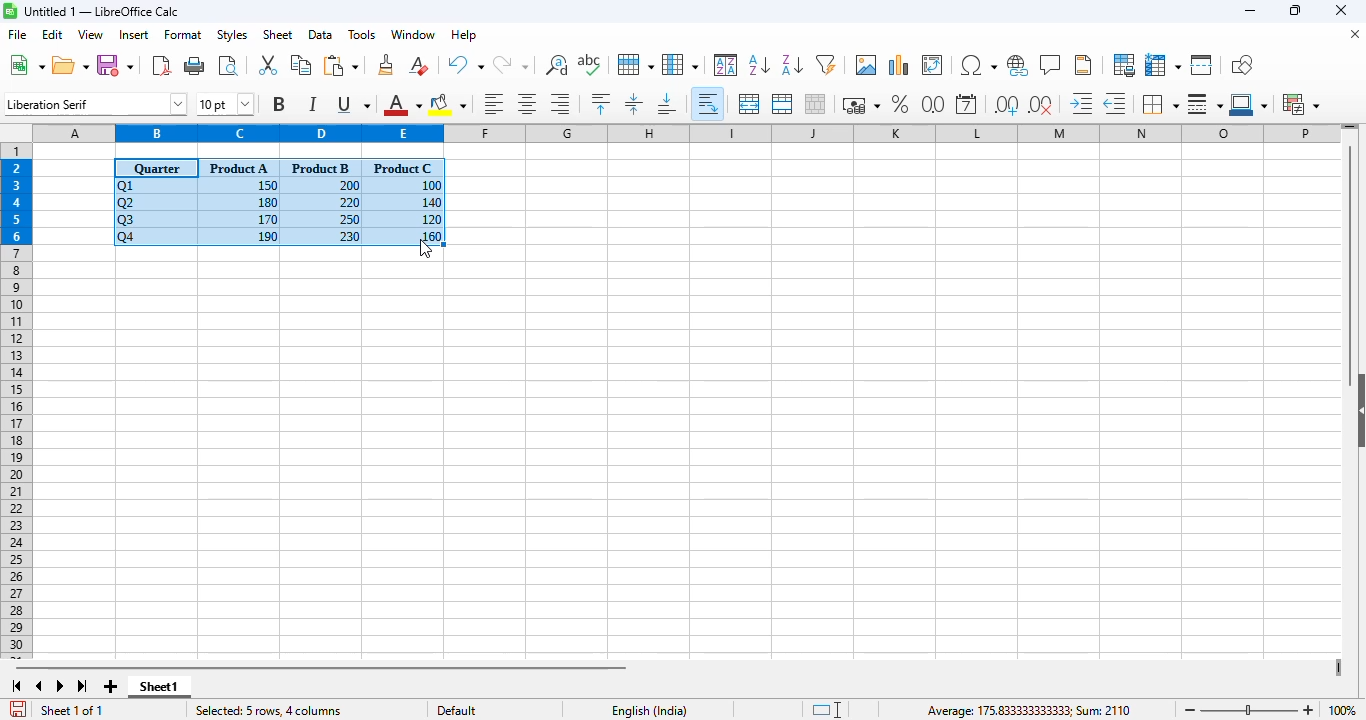  Describe the element at coordinates (312, 104) in the screenshot. I see `italic` at that location.